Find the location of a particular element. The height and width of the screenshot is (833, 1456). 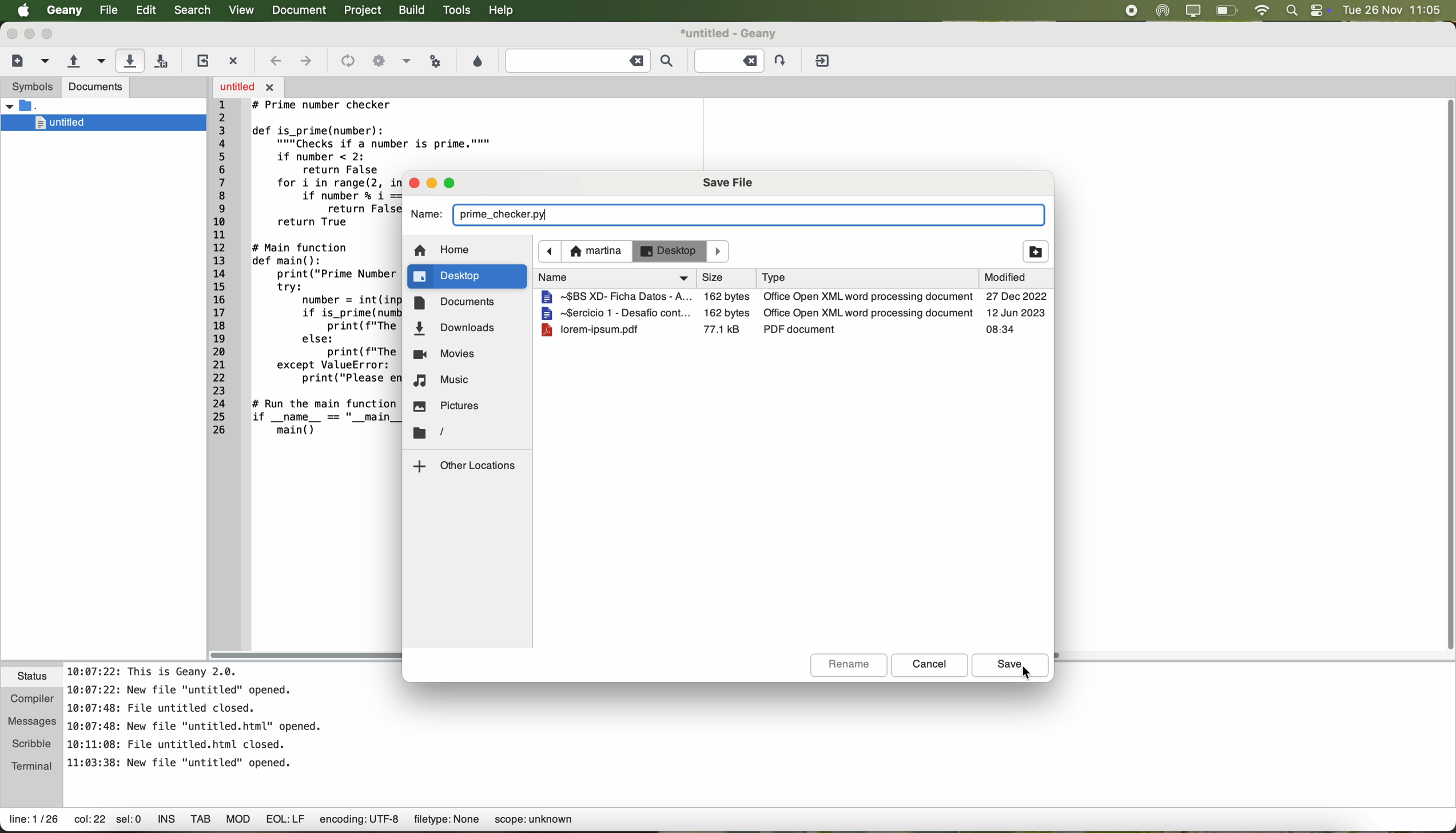

document is located at coordinates (303, 11).